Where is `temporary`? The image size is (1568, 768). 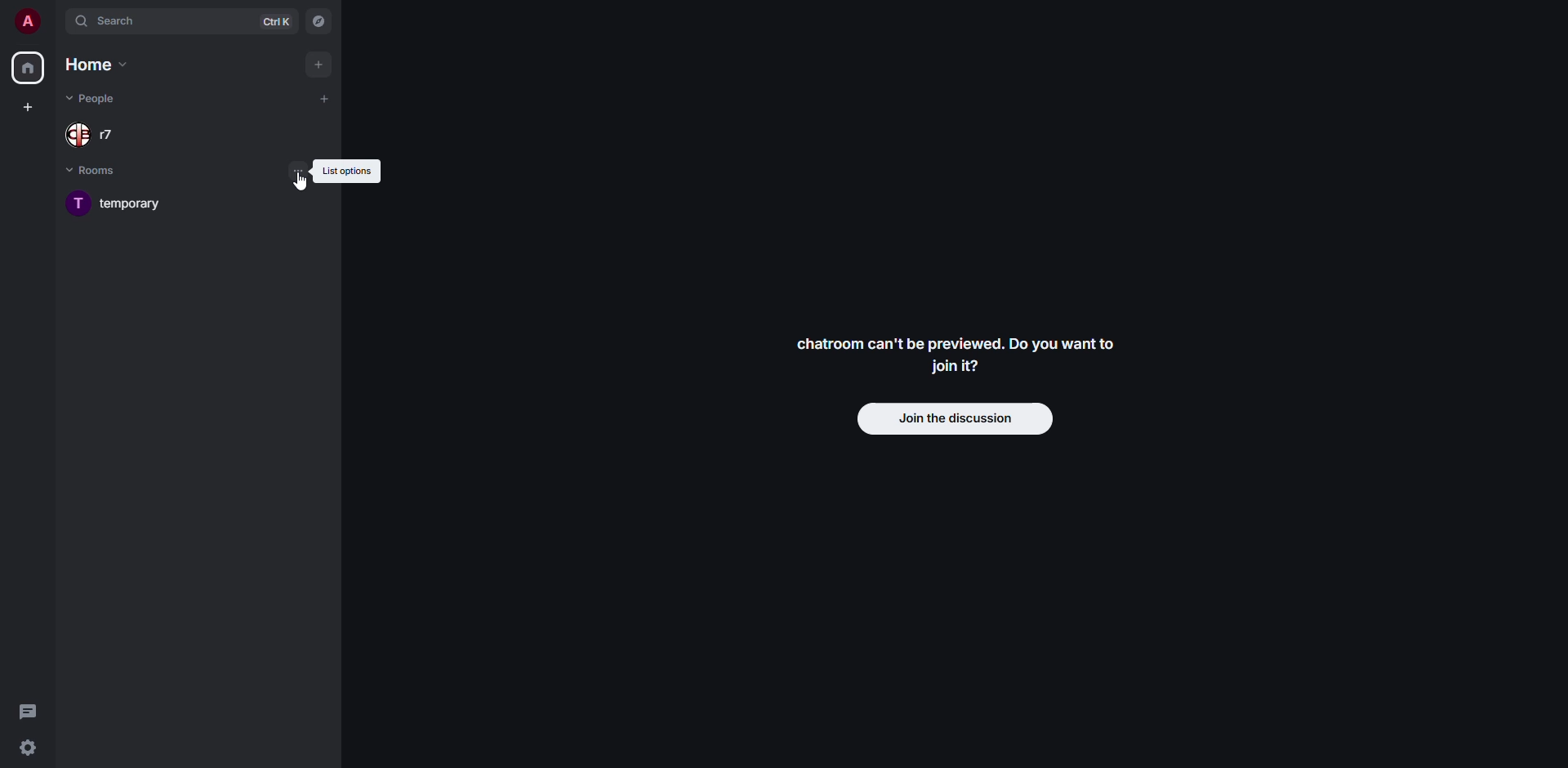 temporary is located at coordinates (124, 203).